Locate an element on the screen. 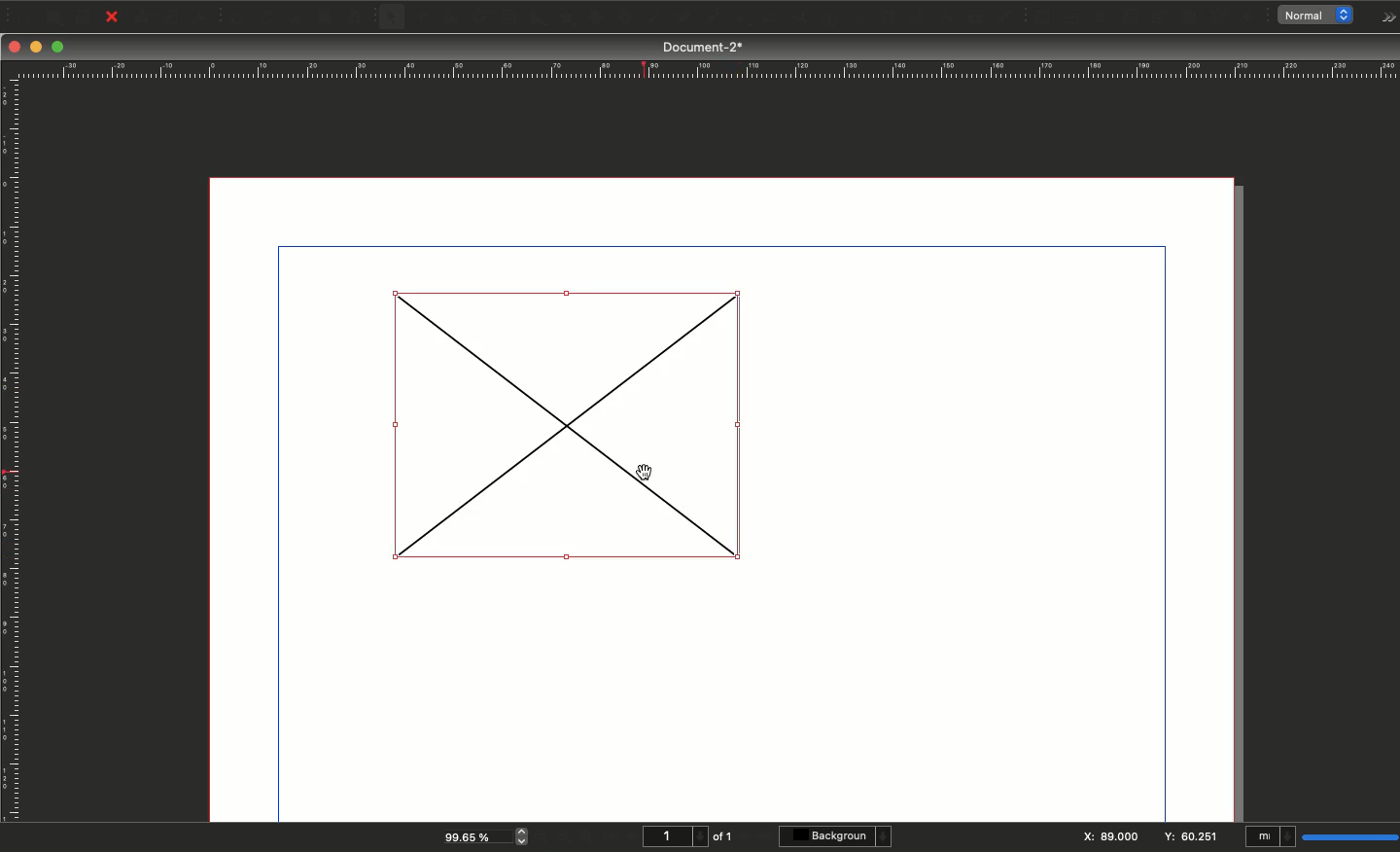 This screenshot has width=1400, height=852. Freehand line is located at coordinates (708, 18).